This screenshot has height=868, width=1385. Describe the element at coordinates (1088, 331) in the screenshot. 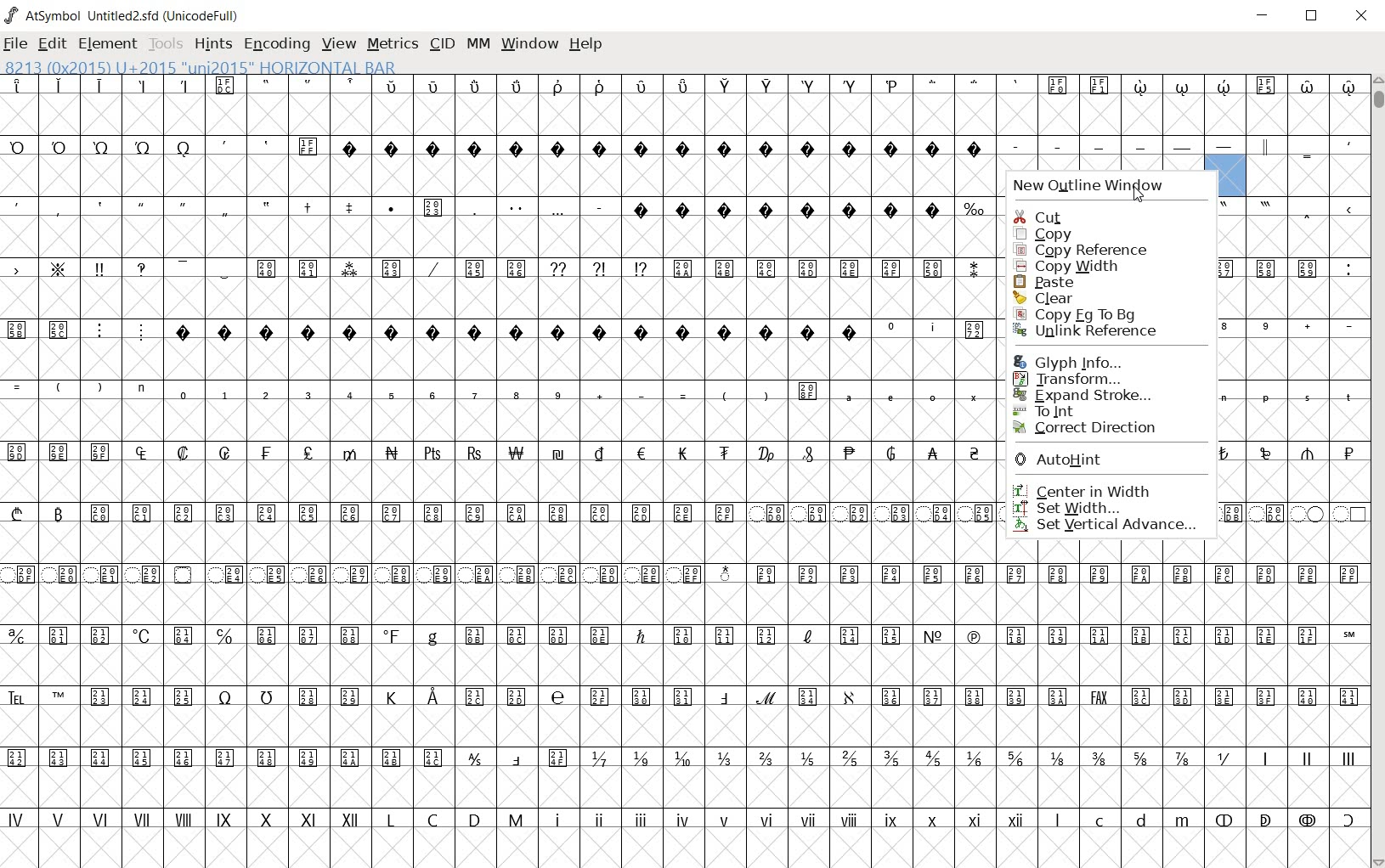

I see `Unlink Reference` at that location.